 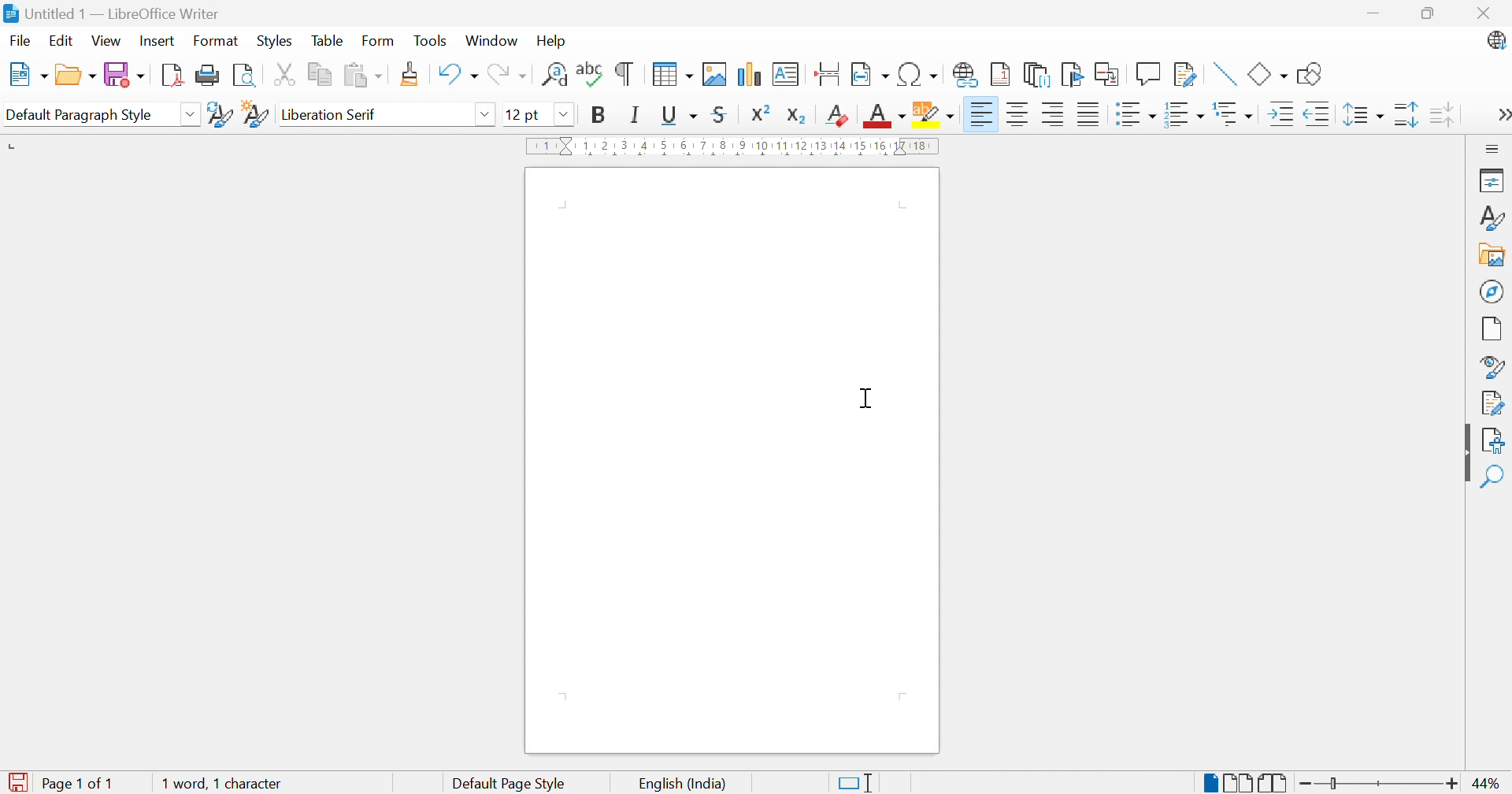 What do you see at coordinates (1492, 328) in the screenshot?
I see `Page` at bounding box center [1492, 328].